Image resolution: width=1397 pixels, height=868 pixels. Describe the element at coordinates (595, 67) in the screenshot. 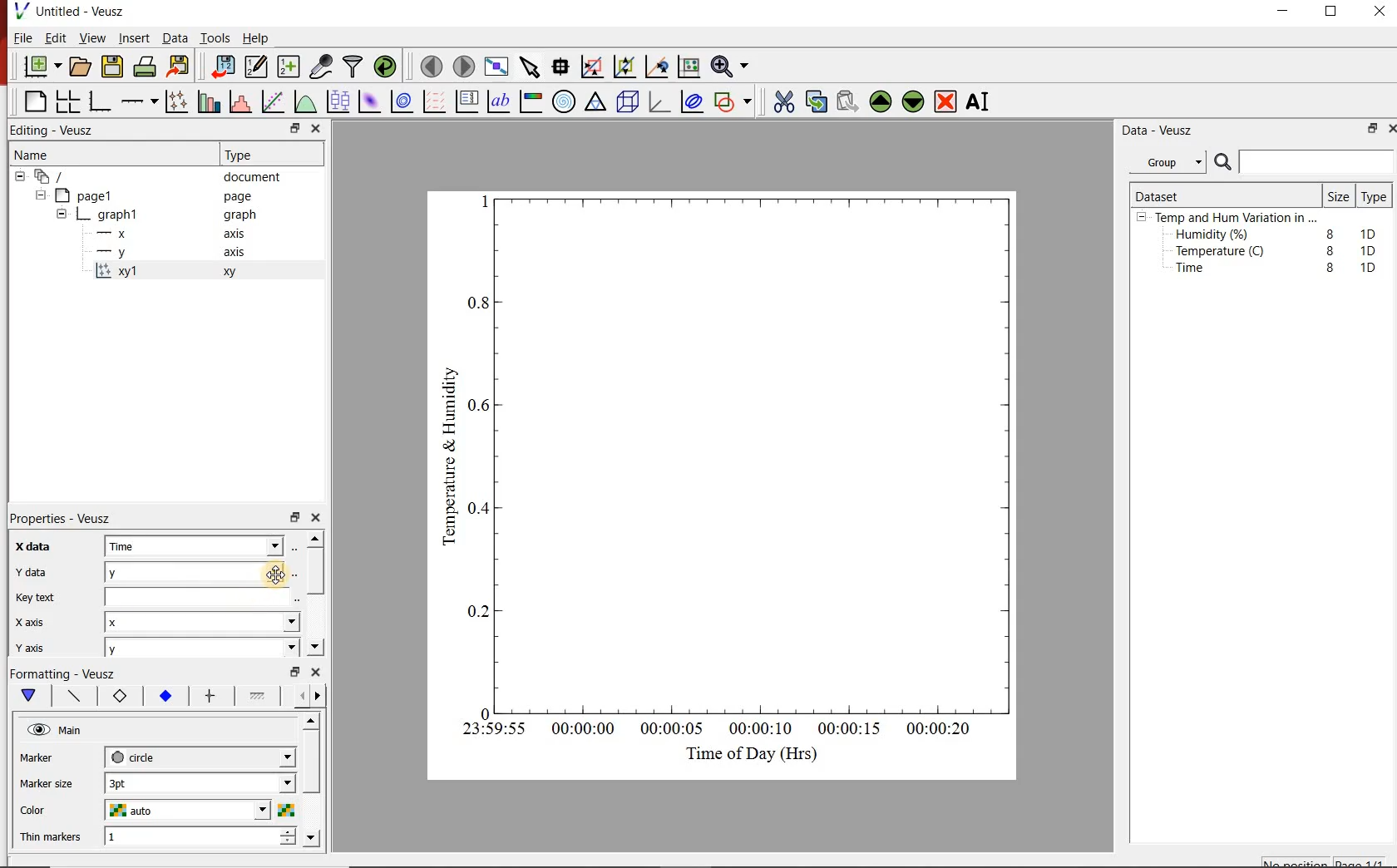

I see `click or draw a rectangle to zoom graph axes` at that location.